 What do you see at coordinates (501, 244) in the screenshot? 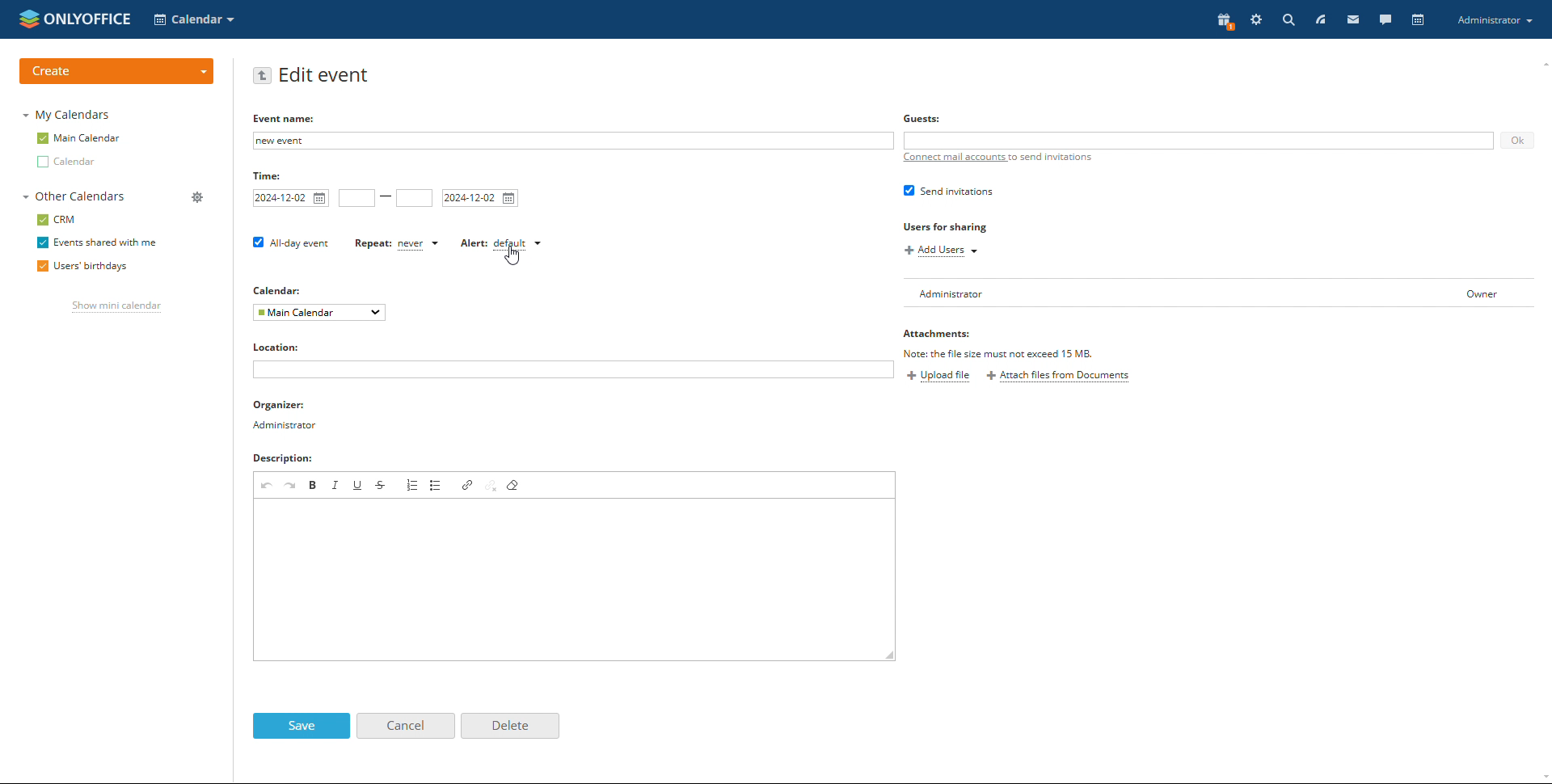
I see `set alert` at bounding box center [501, 244].